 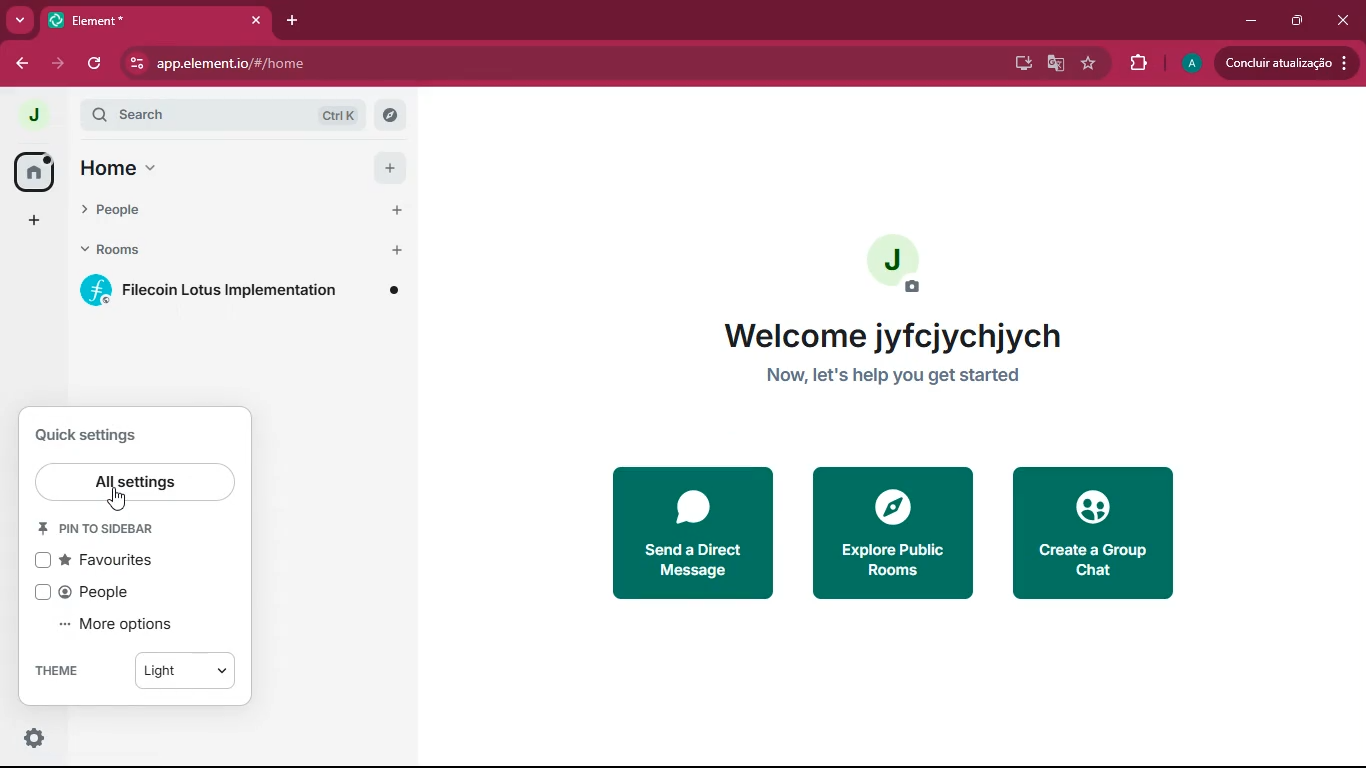 I want to click on more, so click(x=34, y=222).